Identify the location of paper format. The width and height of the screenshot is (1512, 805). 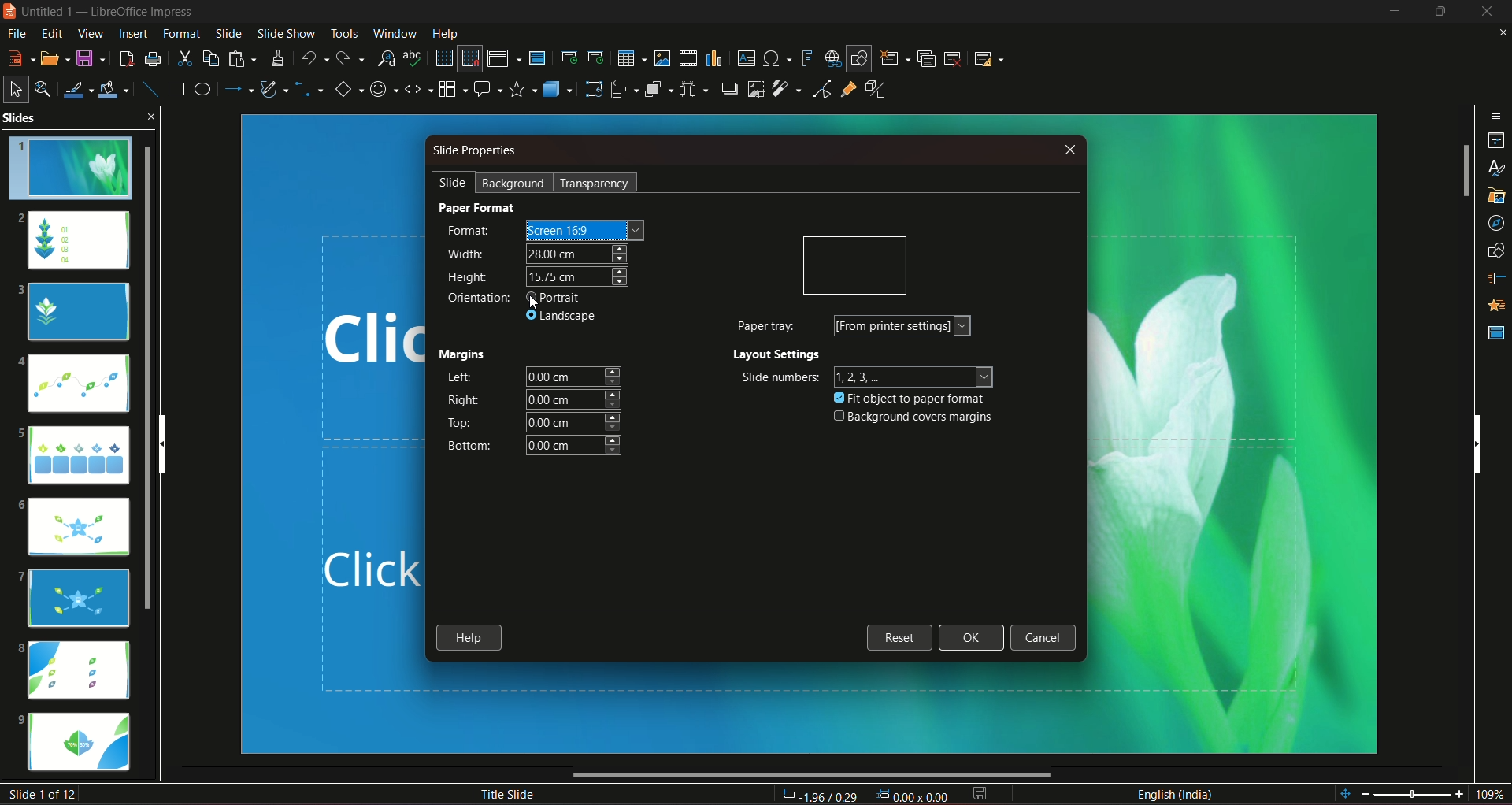
(479, 207).